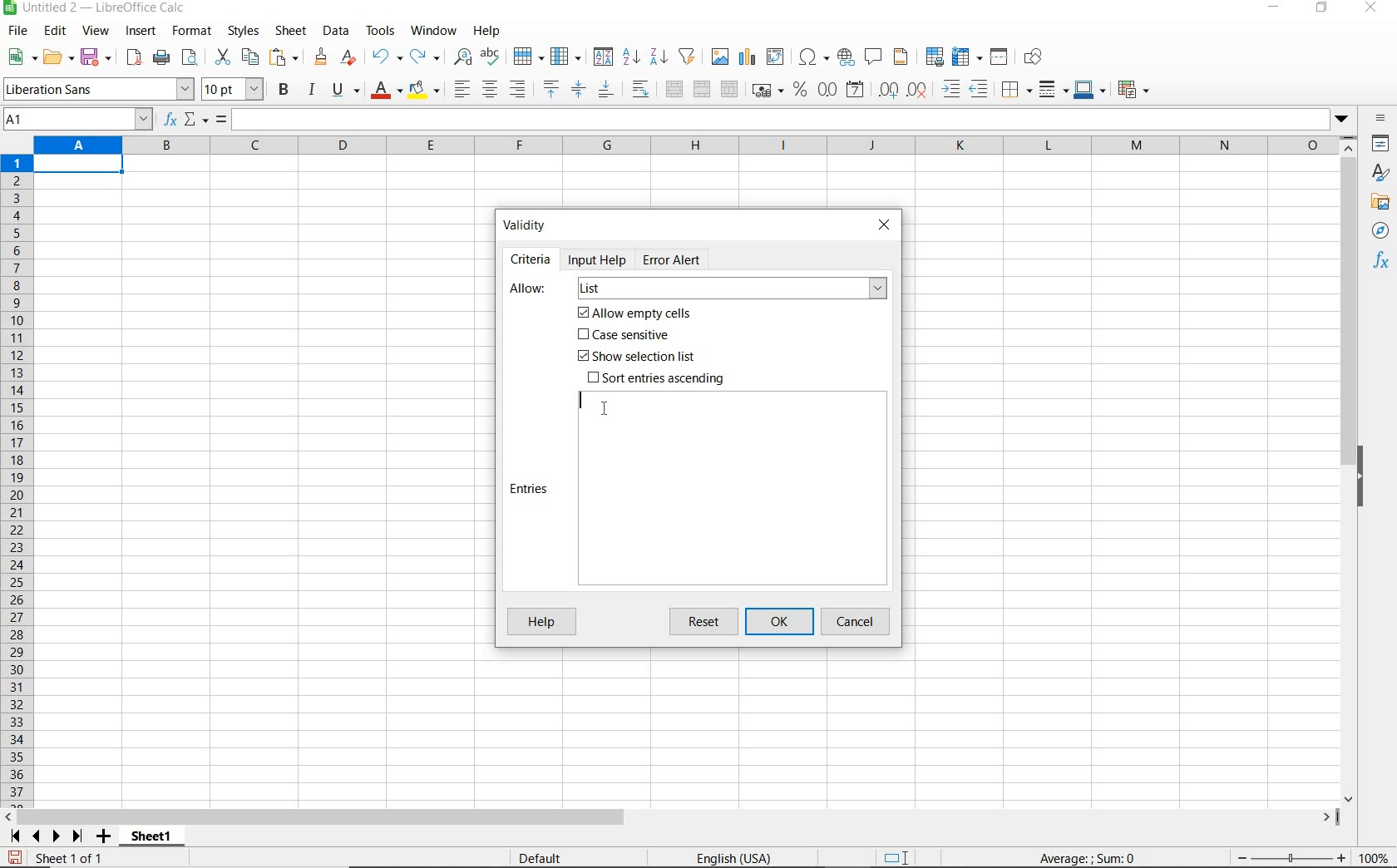 The width and height of the screenshot is (1397, 868). Describe the element at coordinates (1088, 857) in the screenshot. I see `formula` at that location.